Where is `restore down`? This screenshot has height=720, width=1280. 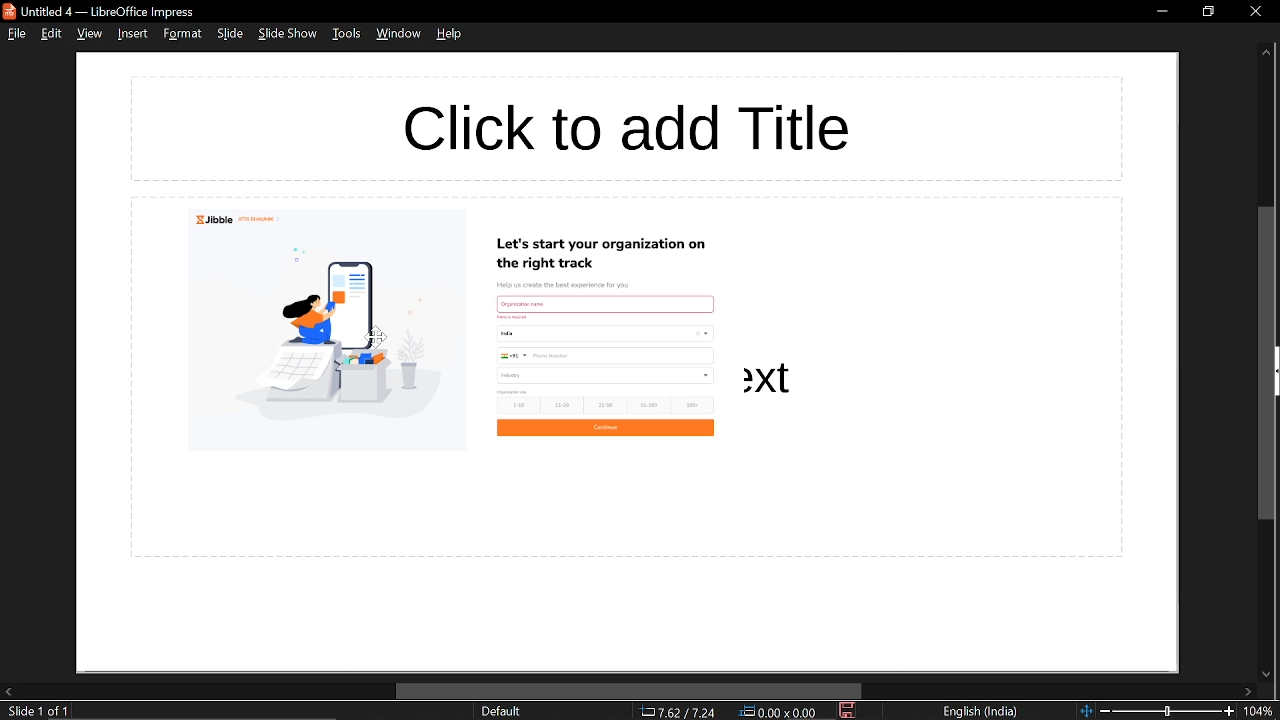 restore down is located at coordinates (1207, 11).